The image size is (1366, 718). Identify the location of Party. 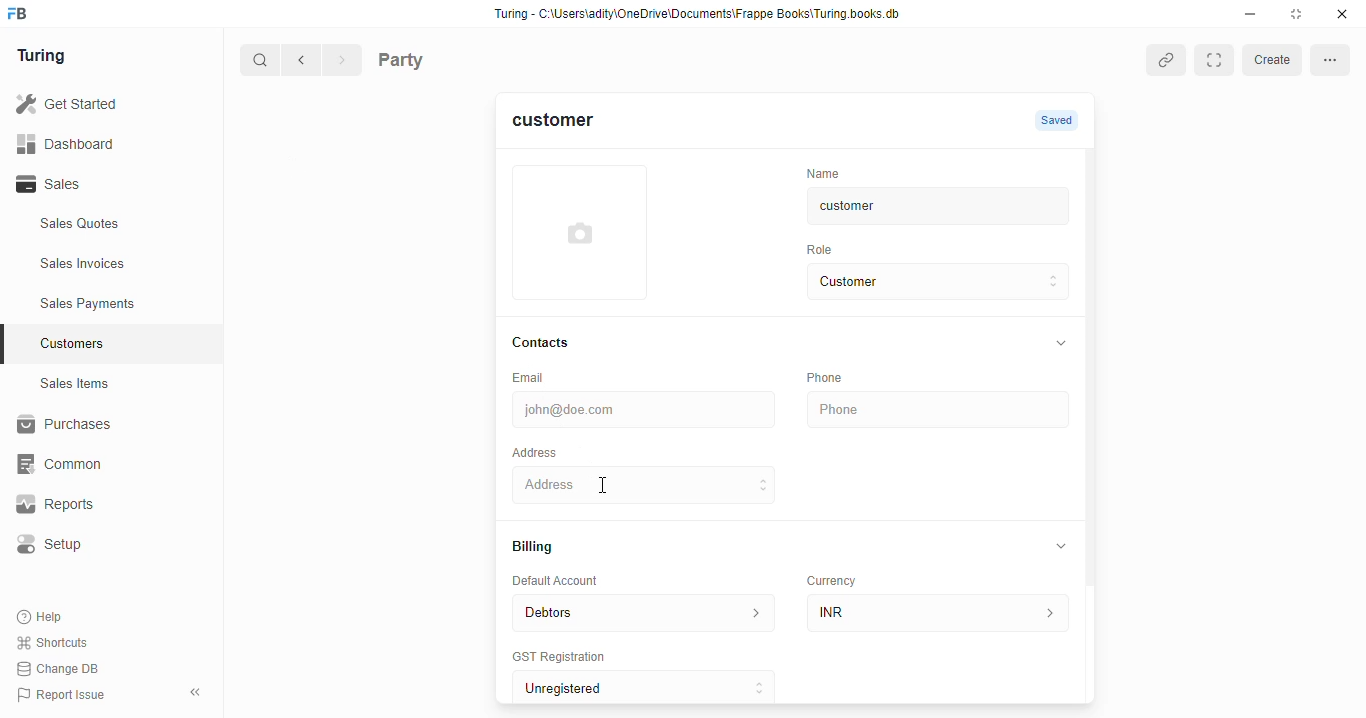
(442, 58).